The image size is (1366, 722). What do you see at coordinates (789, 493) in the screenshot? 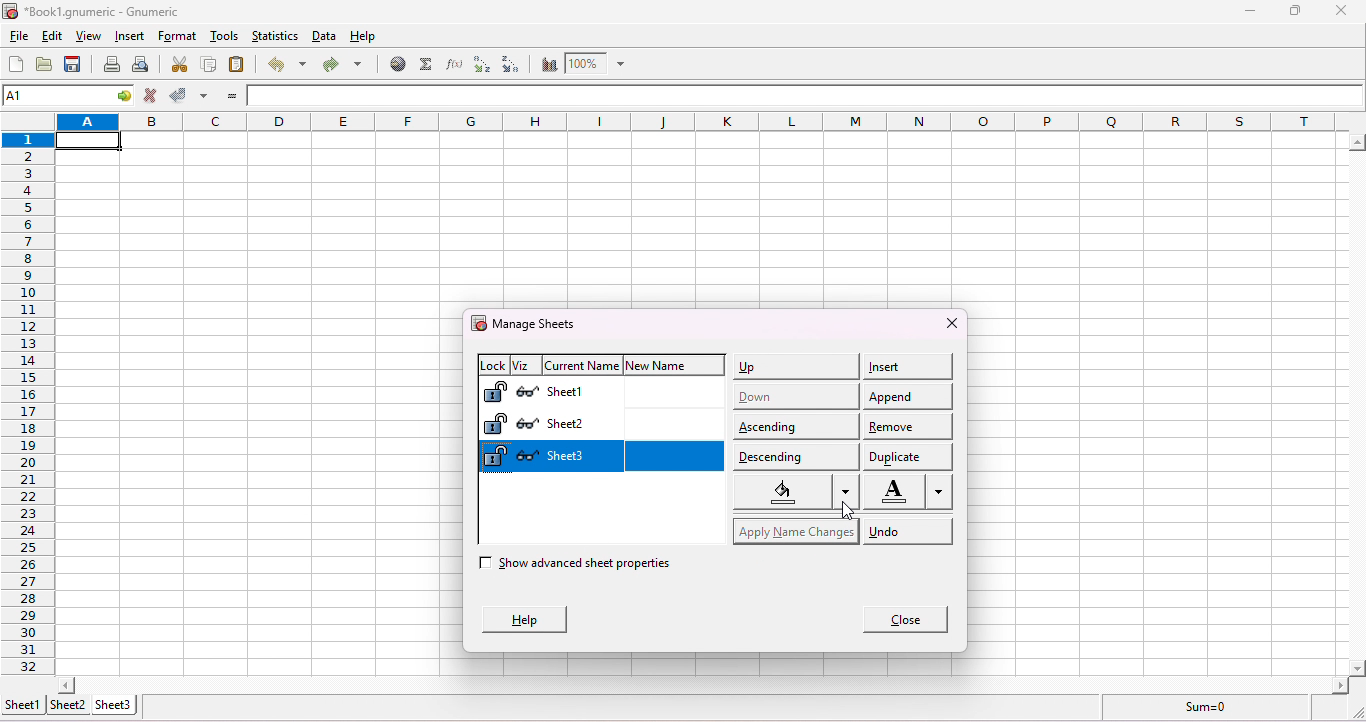
I see `select color` at bounding box center [789, 493].